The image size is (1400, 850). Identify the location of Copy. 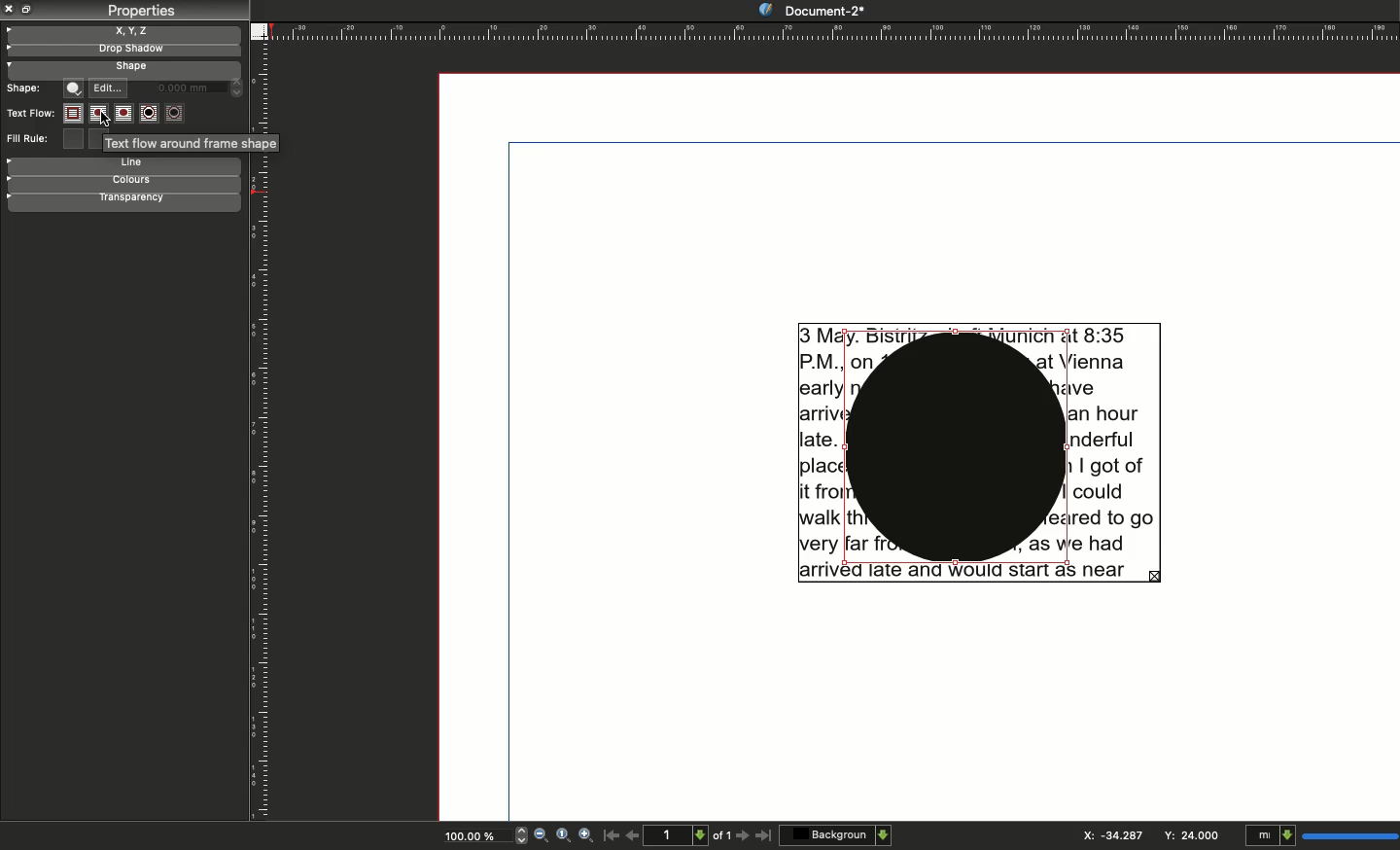
(27, 11).